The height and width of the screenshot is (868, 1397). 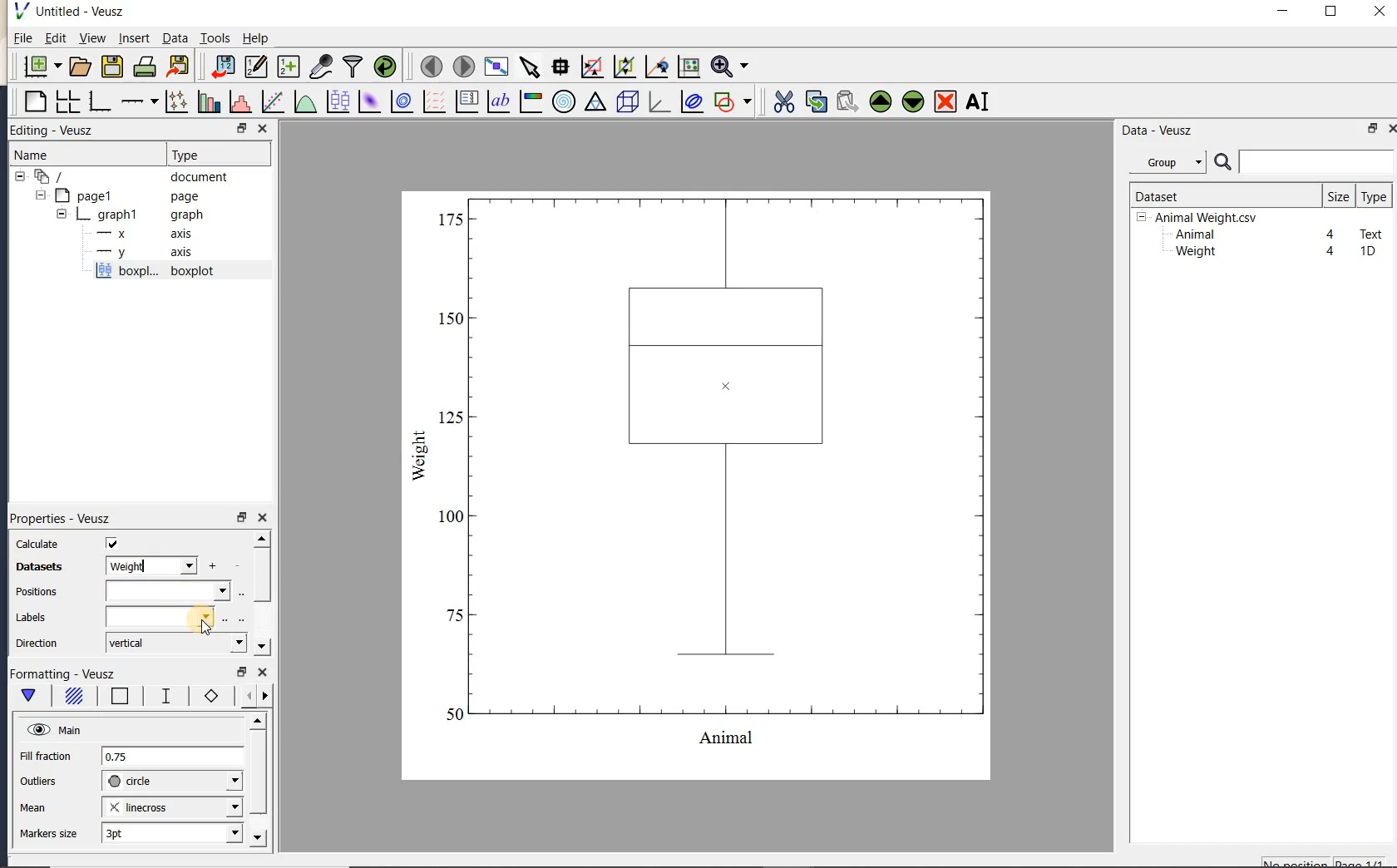 I want to click on markers border, so click(x=208, y=696).